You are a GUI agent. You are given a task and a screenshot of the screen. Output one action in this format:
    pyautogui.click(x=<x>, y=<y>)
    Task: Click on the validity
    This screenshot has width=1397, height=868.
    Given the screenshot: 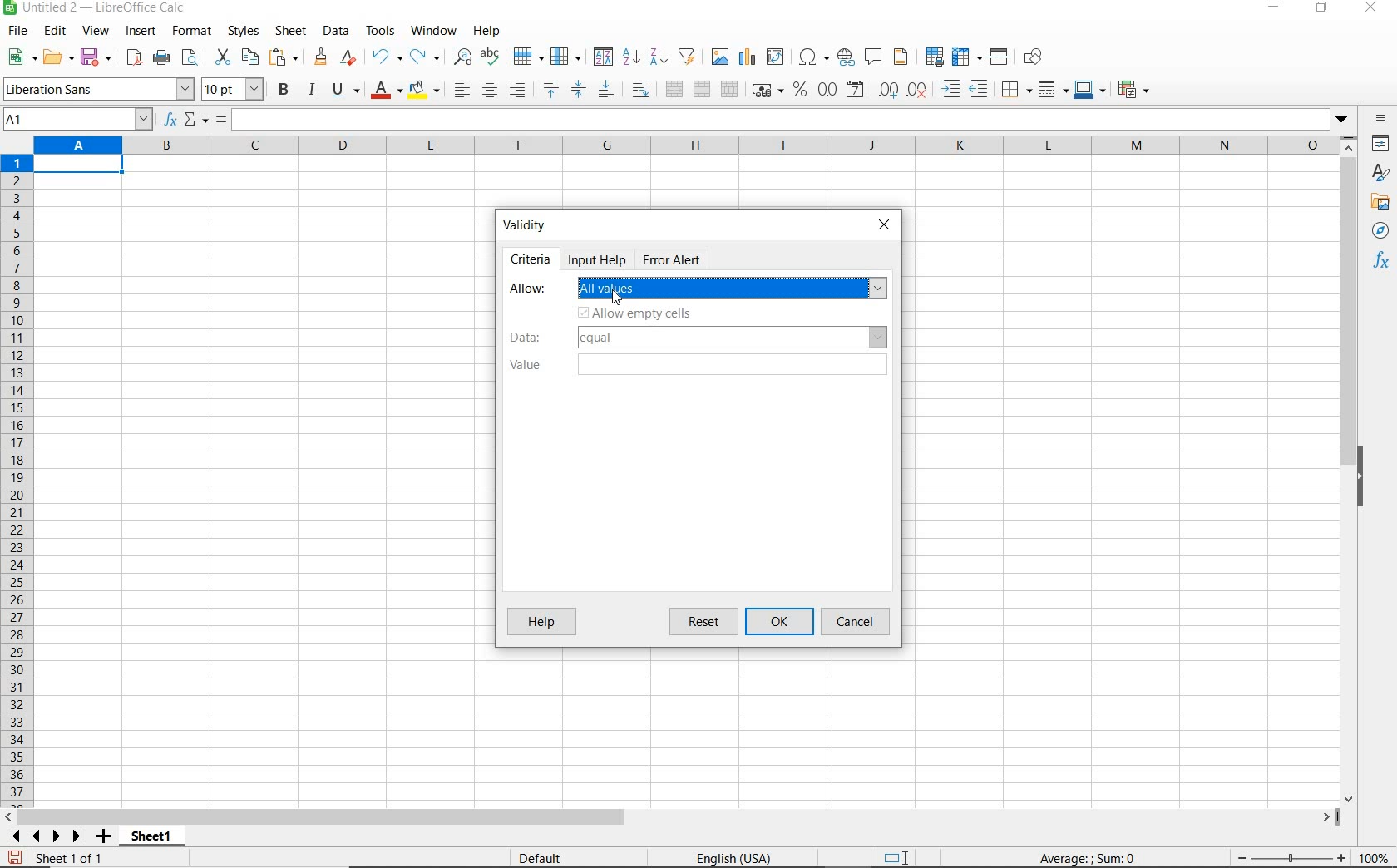 What is the action you would take?
    pyautogui.click(x=530, y=223)
    